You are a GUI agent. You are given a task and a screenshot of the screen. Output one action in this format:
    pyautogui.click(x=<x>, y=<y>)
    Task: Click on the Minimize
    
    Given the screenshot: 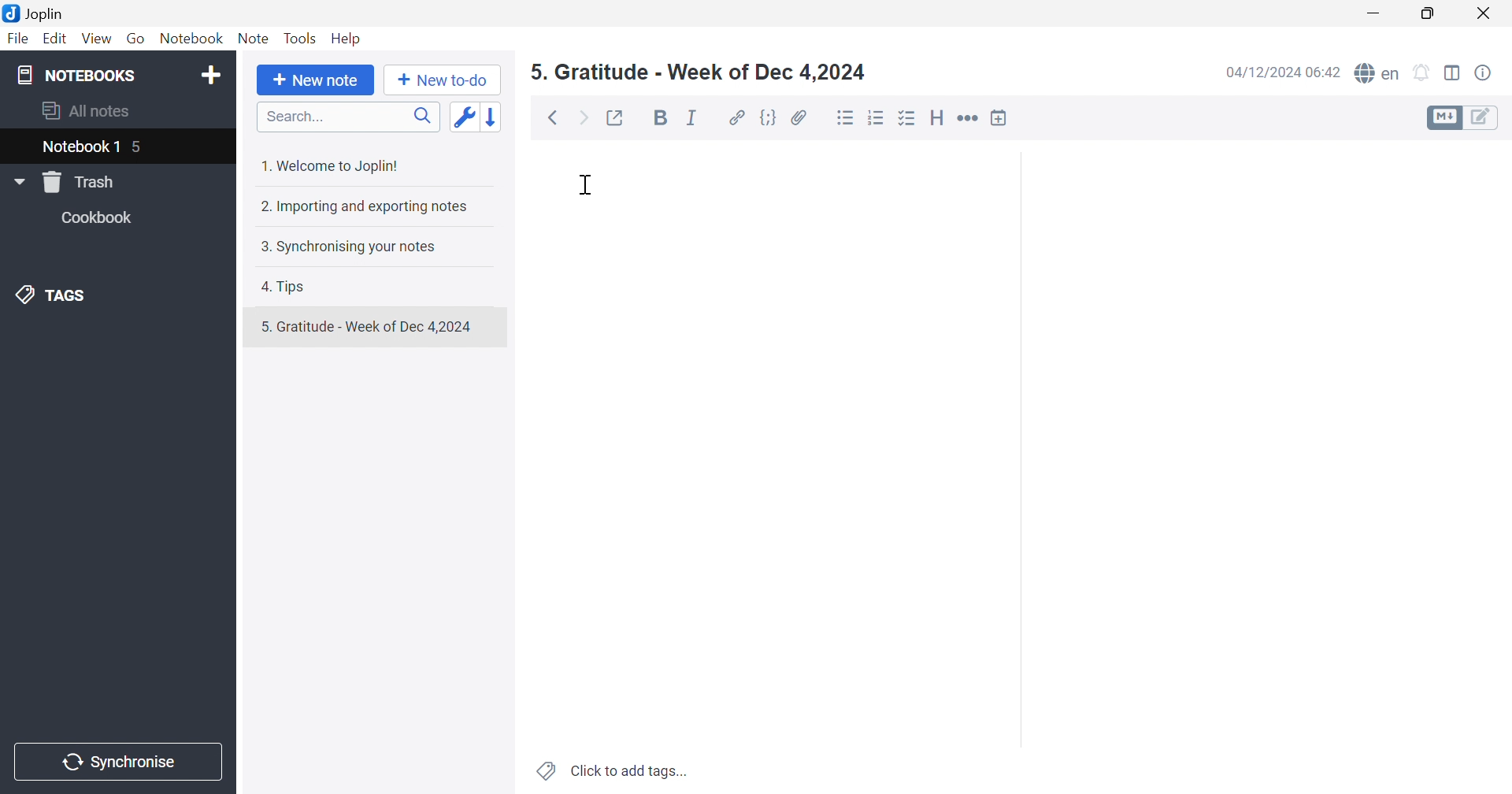 What is the action you would take?
    pyautogui.click(x=1377, y=9)
    